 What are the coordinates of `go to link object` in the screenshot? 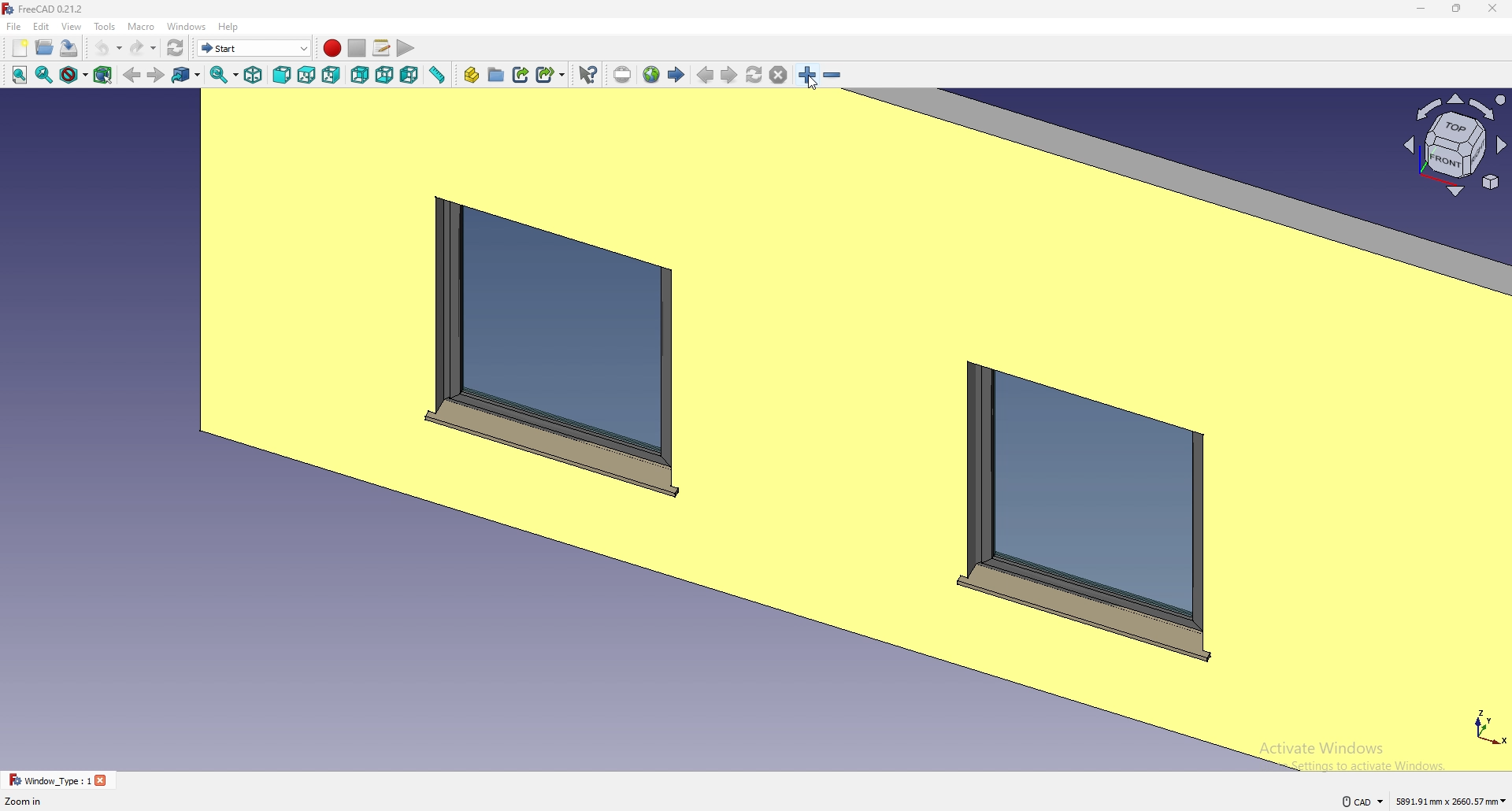 It's located at (186, 74).